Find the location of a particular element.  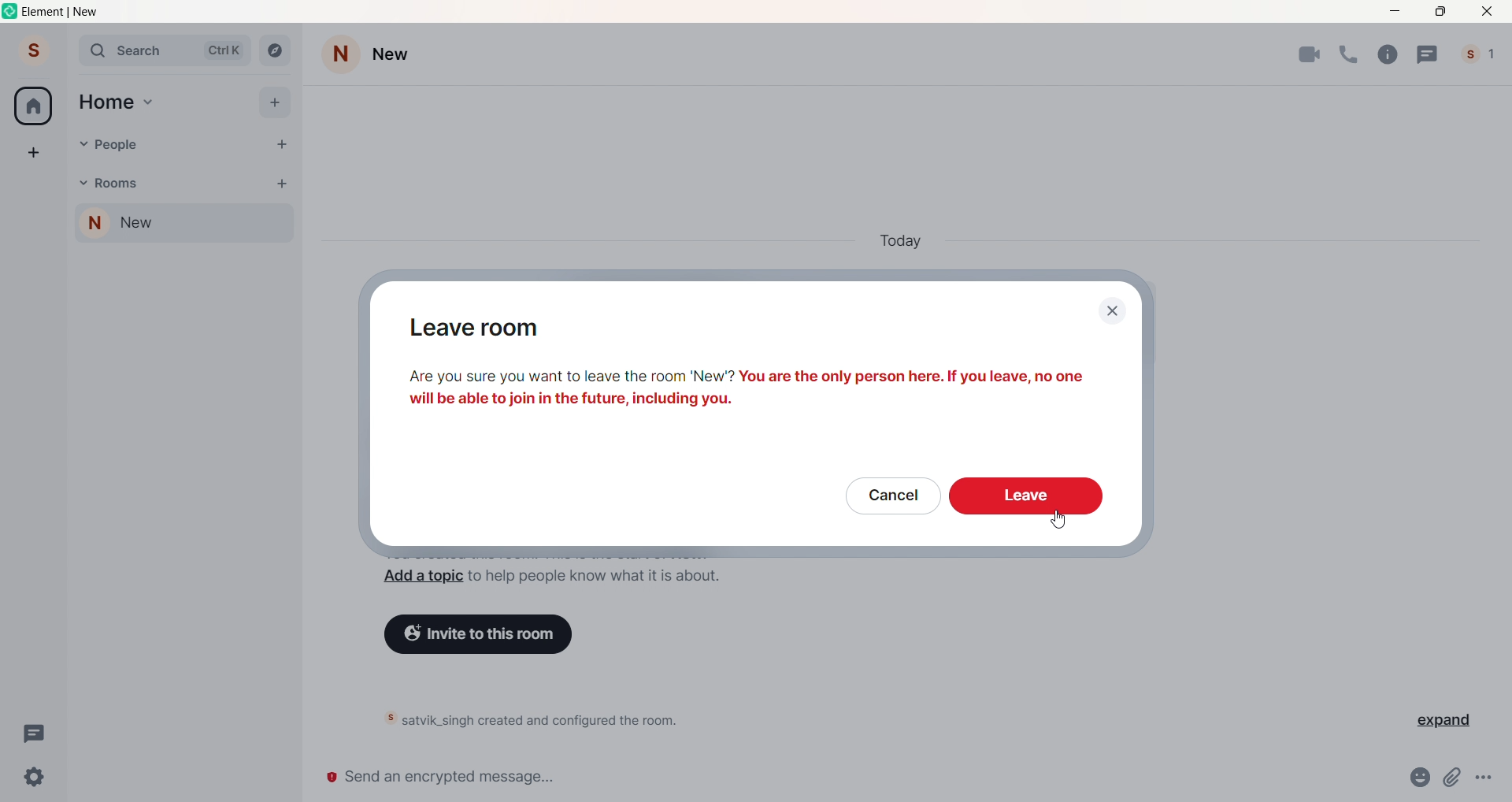

Quick Settings is located at coordinates (36, 776).